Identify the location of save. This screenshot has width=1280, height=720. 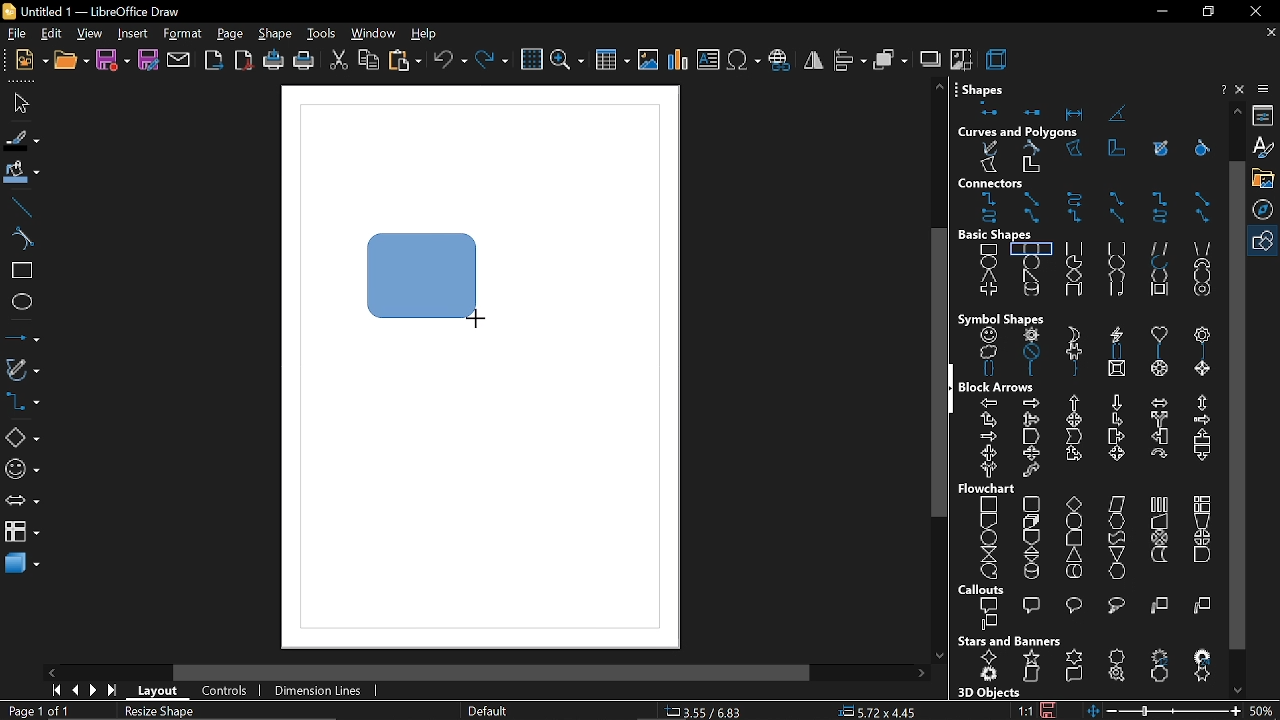
(112, 61).